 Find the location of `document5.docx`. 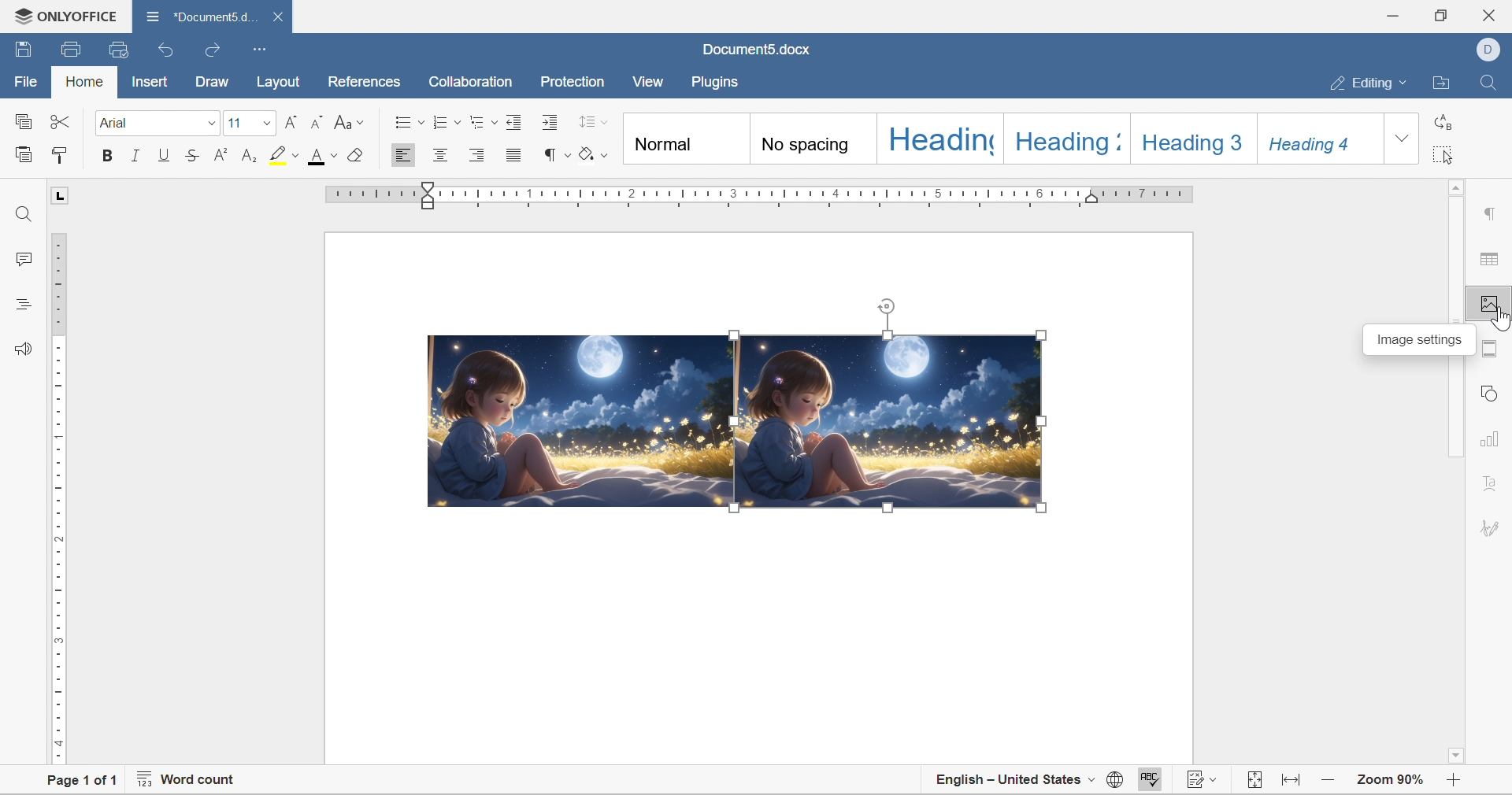

document5.docx is located at coordinates (198, 17).